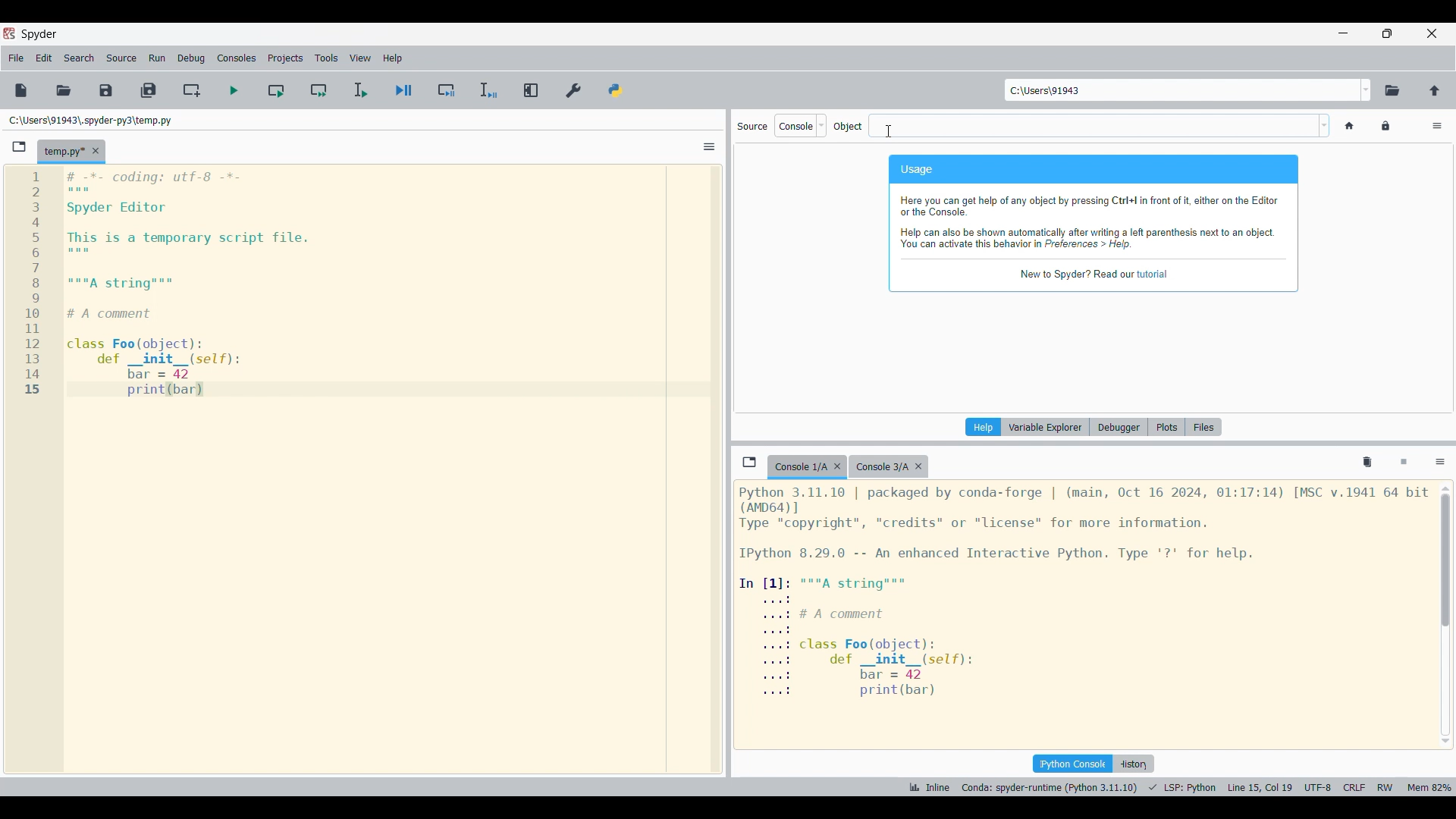  What do you see at coordinates (359, 90) in the screenshot?
I see `Run selection/current line` at bounding box center [359, 90].